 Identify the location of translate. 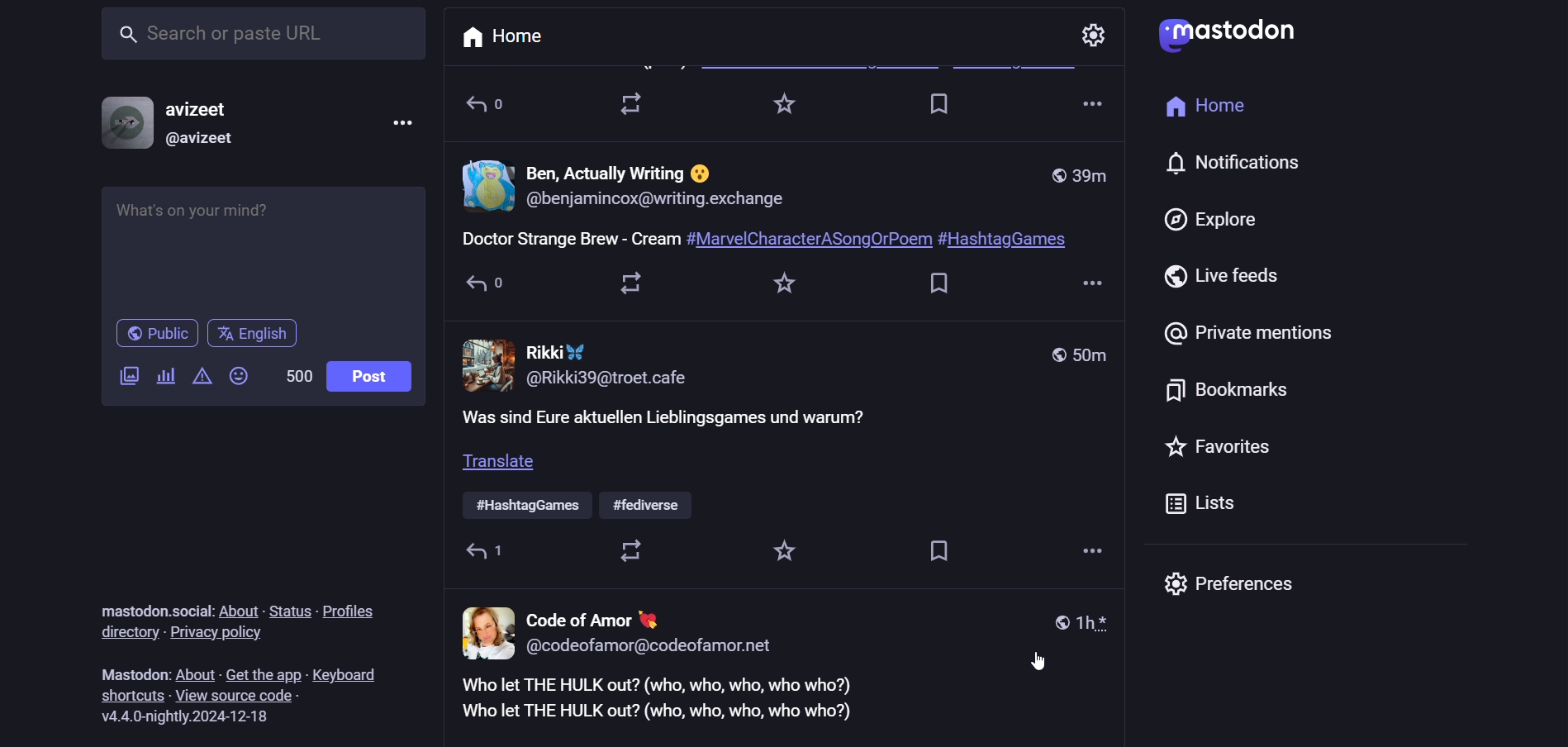
(506, 466).